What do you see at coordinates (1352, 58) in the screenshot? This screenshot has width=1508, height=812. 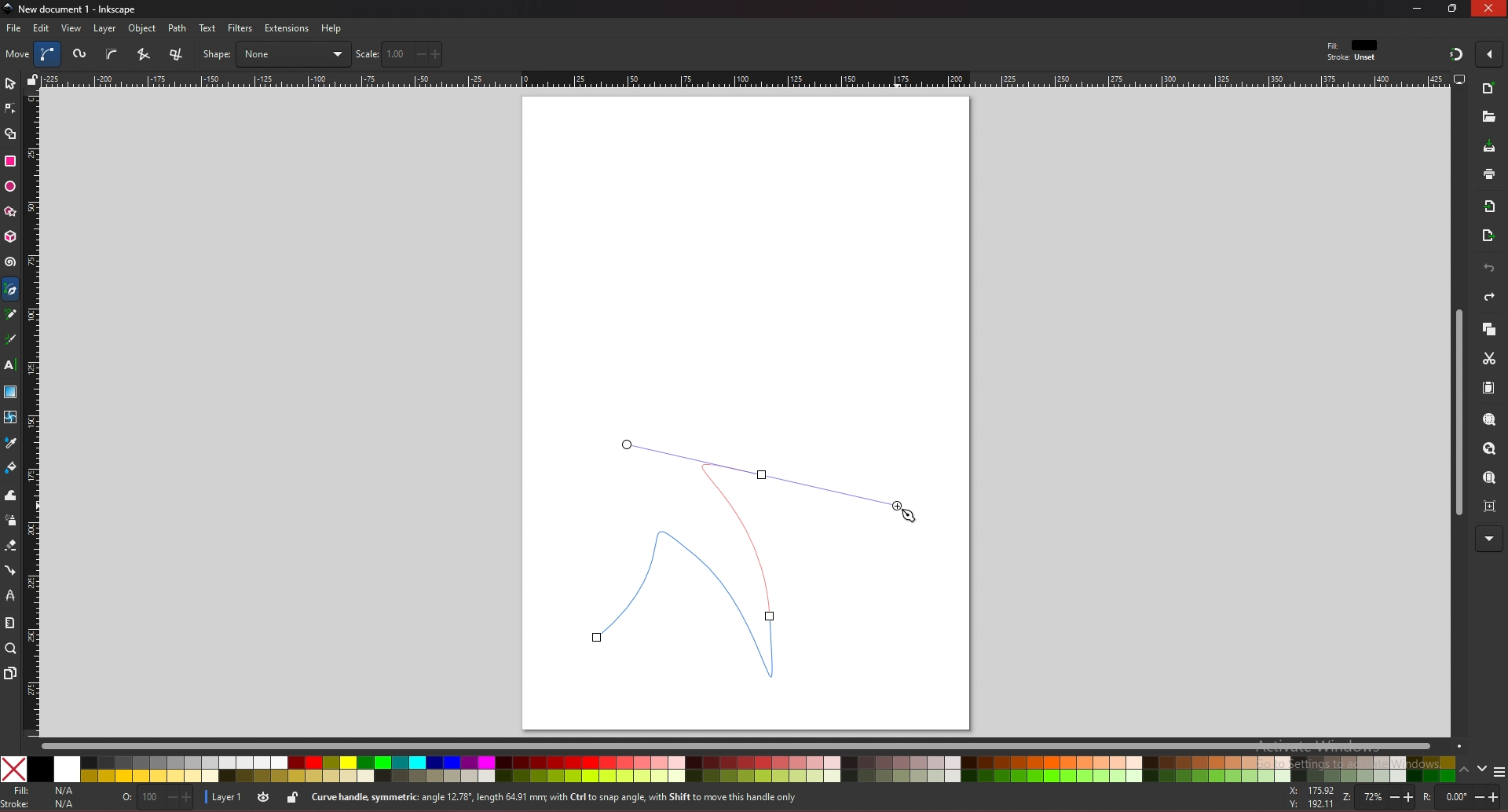 I see `stroke` at bounding box center [1352, 58].